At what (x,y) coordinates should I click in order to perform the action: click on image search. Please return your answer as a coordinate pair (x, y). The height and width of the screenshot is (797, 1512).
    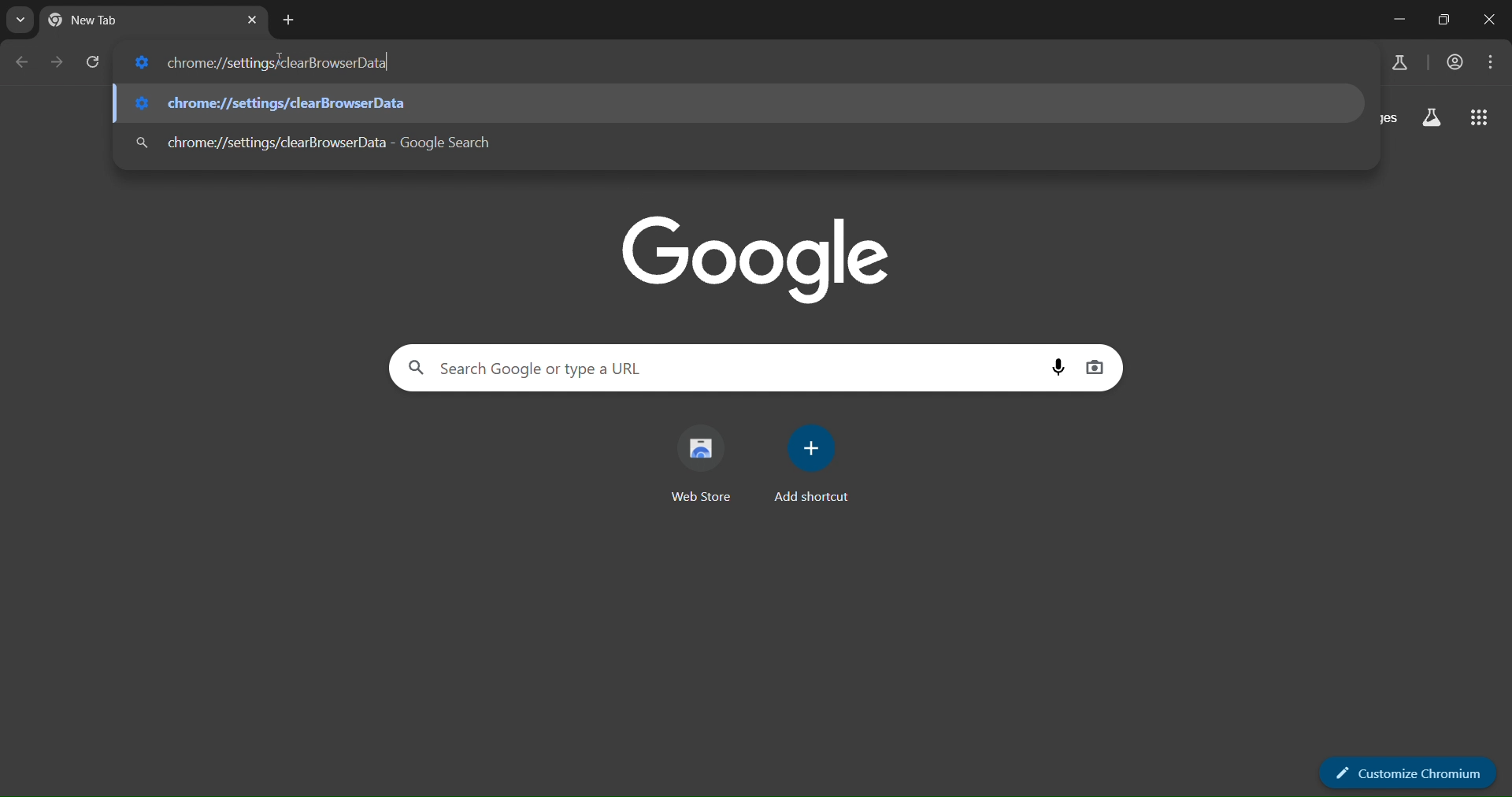
    Looking at the image, I should click on (1099, 367).